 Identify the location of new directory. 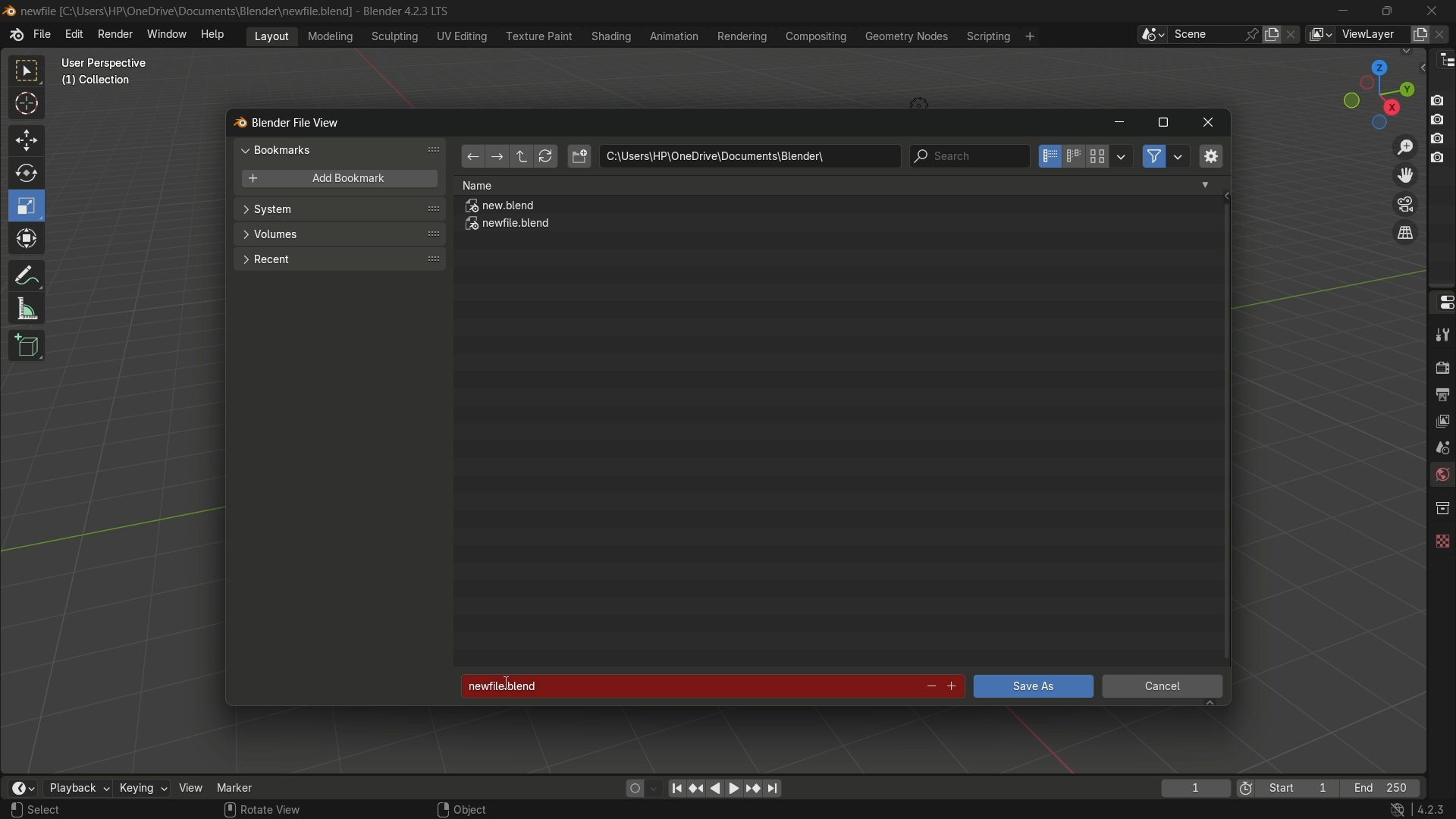
(579, 156).